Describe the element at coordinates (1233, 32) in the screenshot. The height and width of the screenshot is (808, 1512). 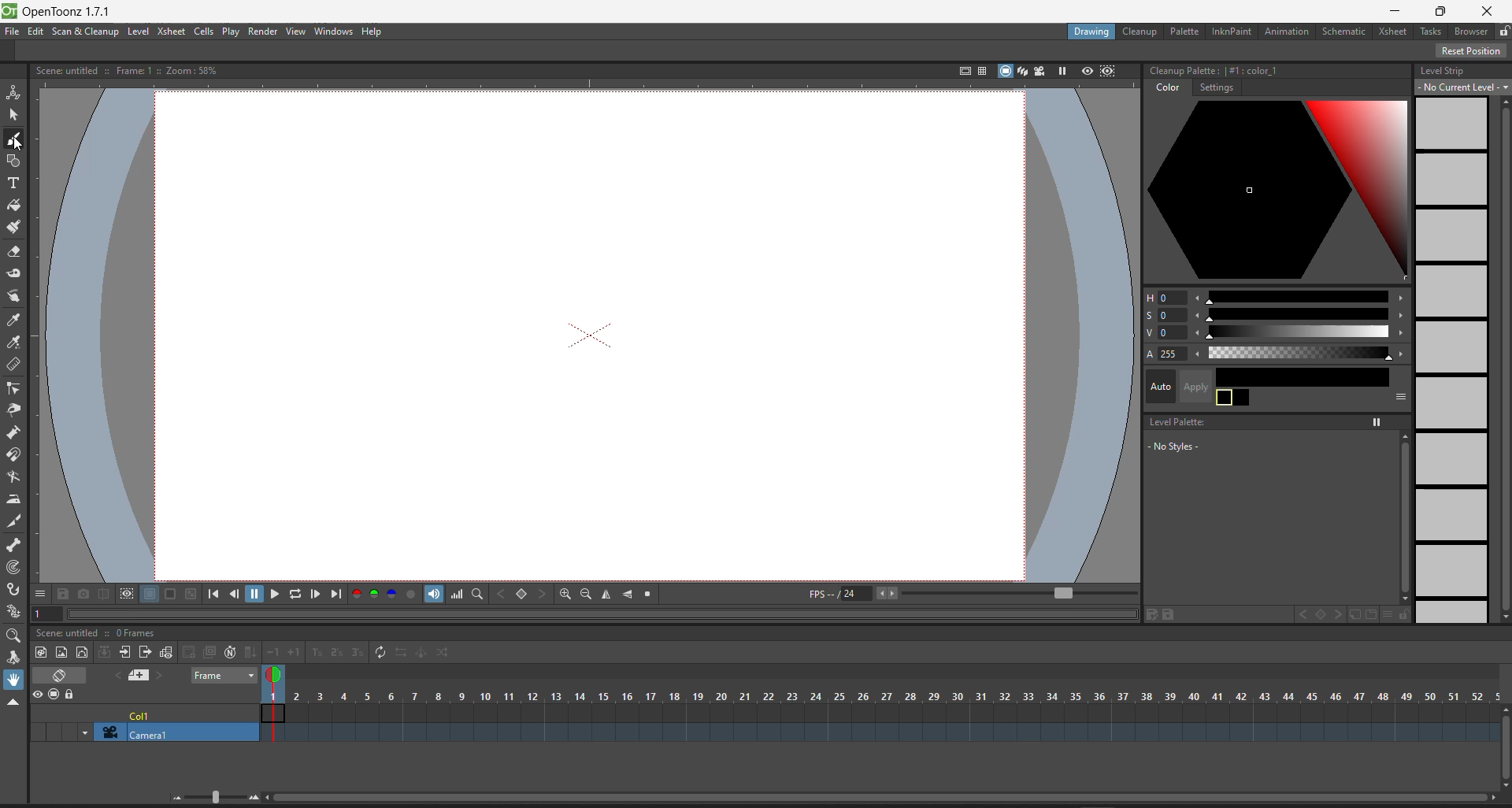
I see `inknpaint` at that location.